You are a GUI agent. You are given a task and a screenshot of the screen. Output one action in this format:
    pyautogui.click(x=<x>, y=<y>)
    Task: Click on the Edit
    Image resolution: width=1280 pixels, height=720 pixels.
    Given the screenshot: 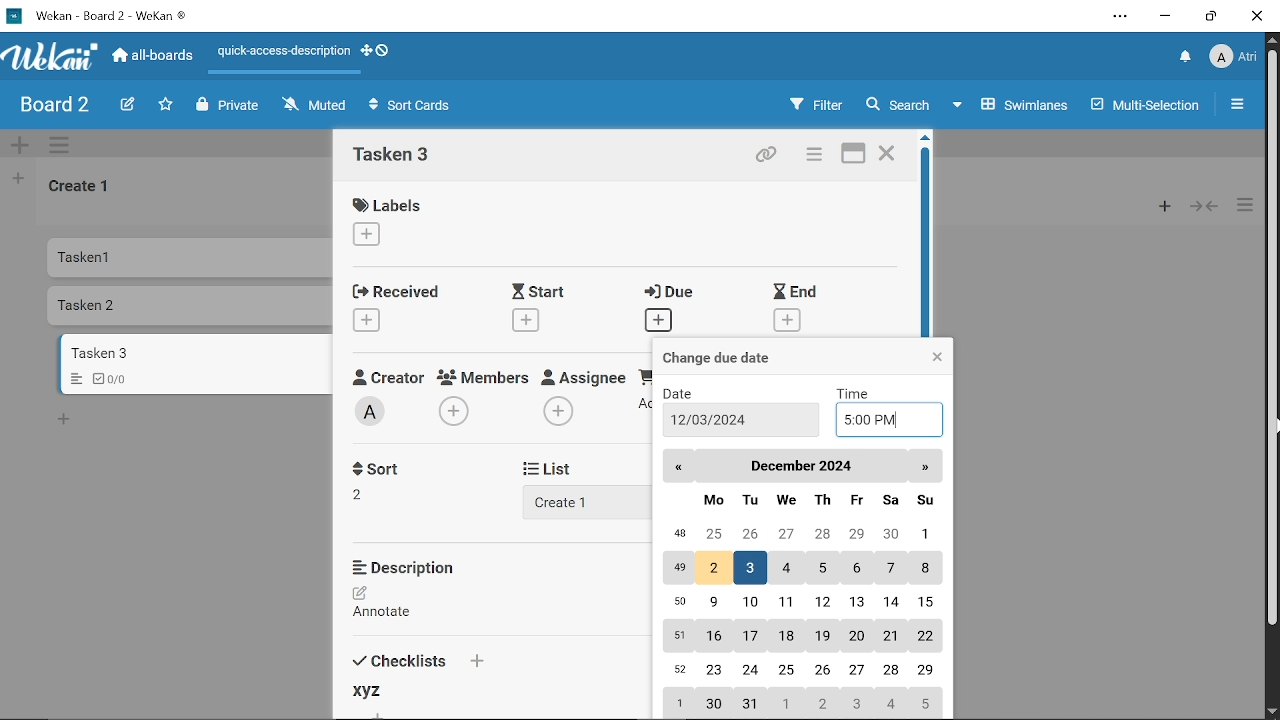 What is the action you would take?
    pyautogui.click(x=124, y=104)
    